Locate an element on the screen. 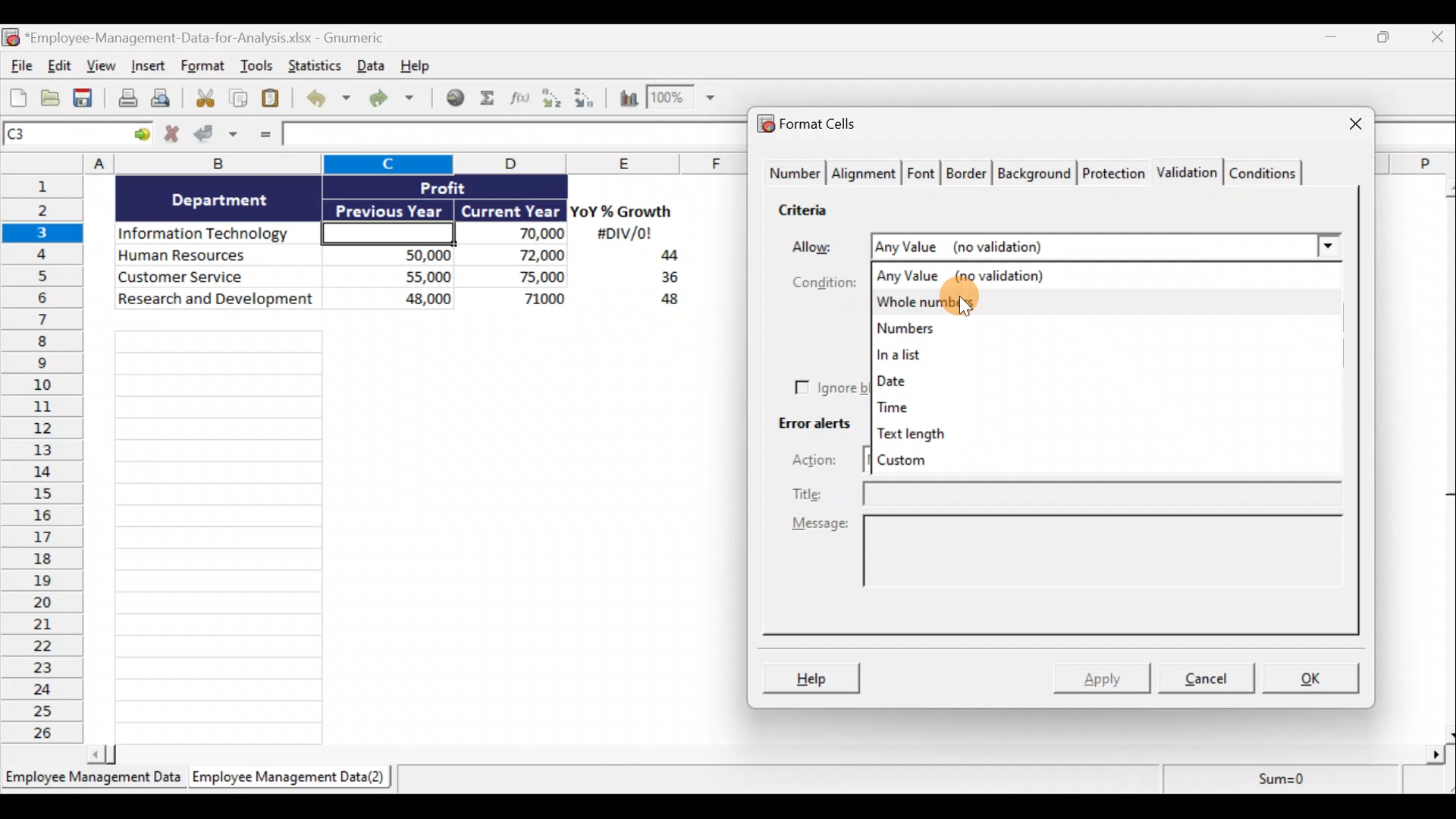 This screenshot has width=1456, height=819. 36 is located at coordinates (664, 280).